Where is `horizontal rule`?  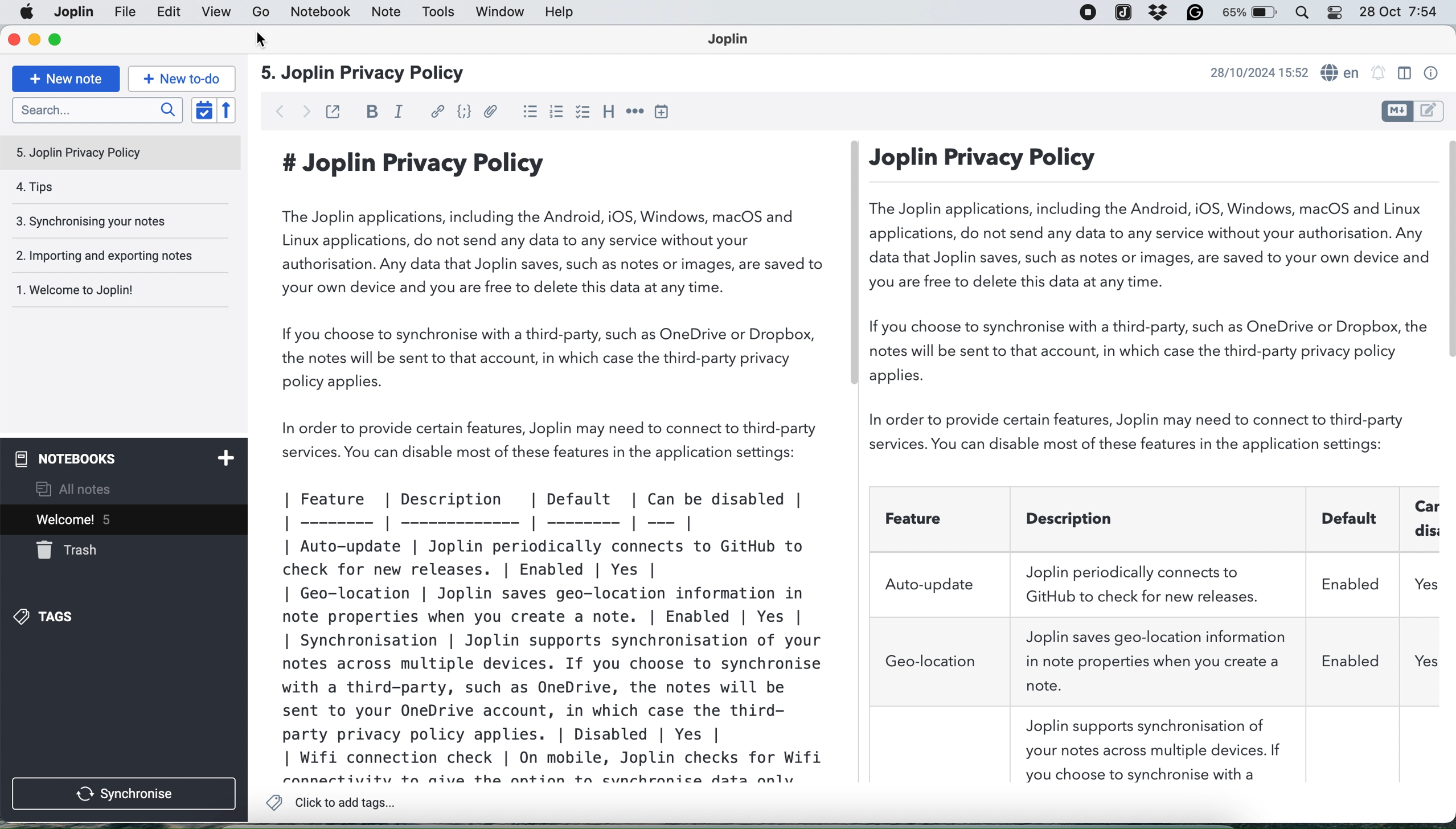
horizontal rule is located at coordinates (636, 113).